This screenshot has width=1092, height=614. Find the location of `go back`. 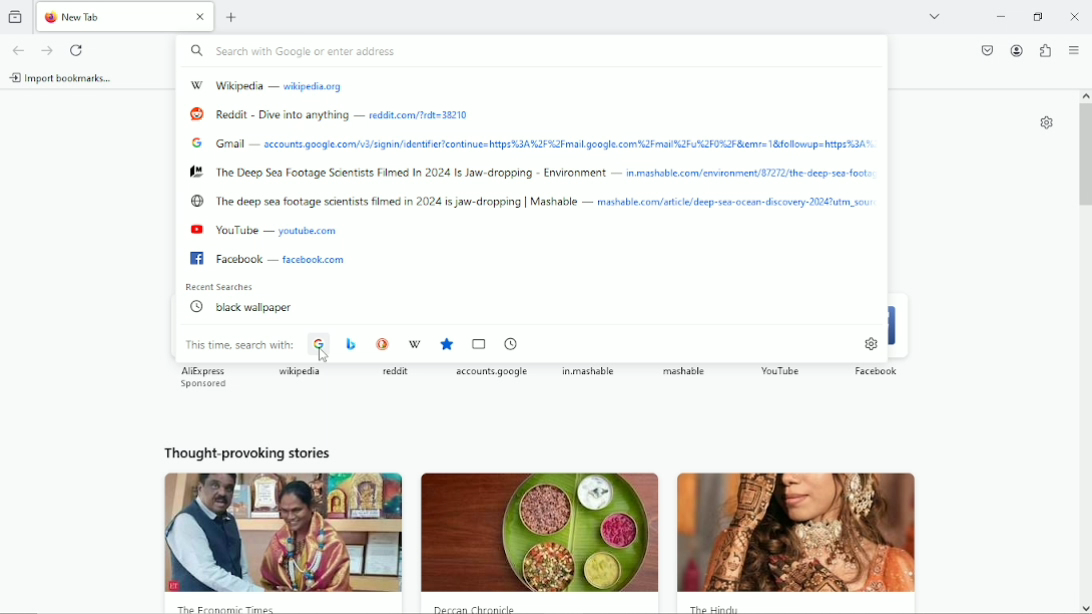

go back is located at coordinates (20, 49).